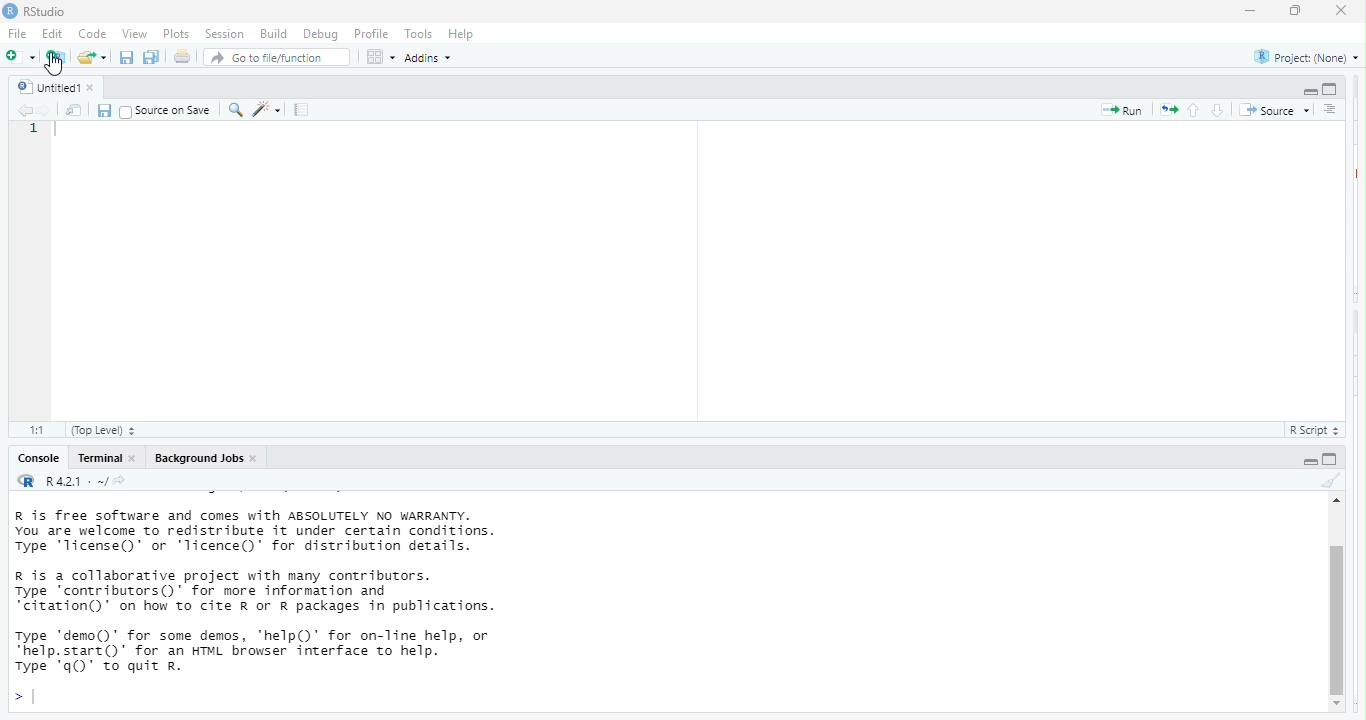  Describe the element at coordinates (35, 459) in the screenshot. I see `Console` at that location.